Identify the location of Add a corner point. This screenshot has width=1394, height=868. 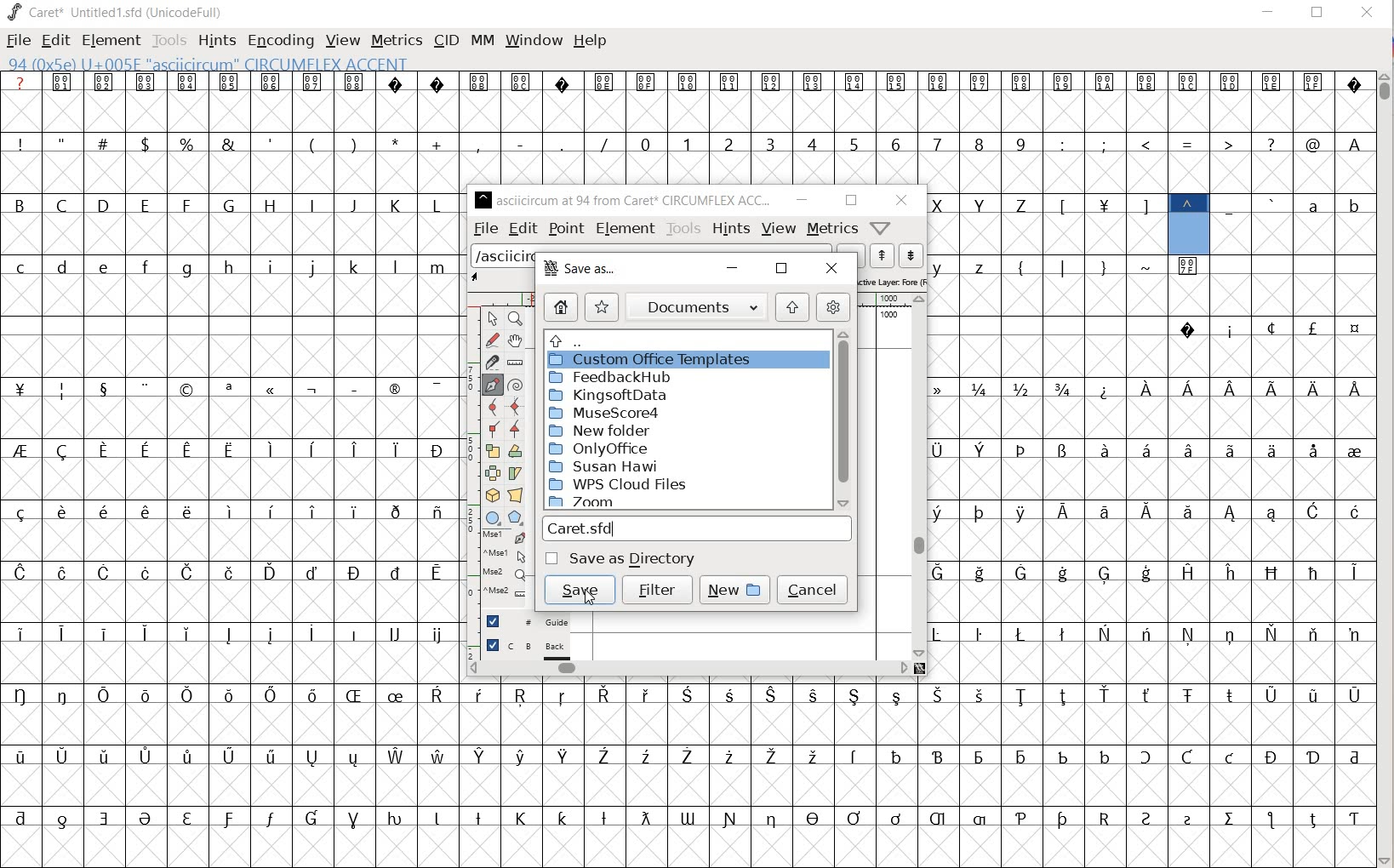
(516, 428).